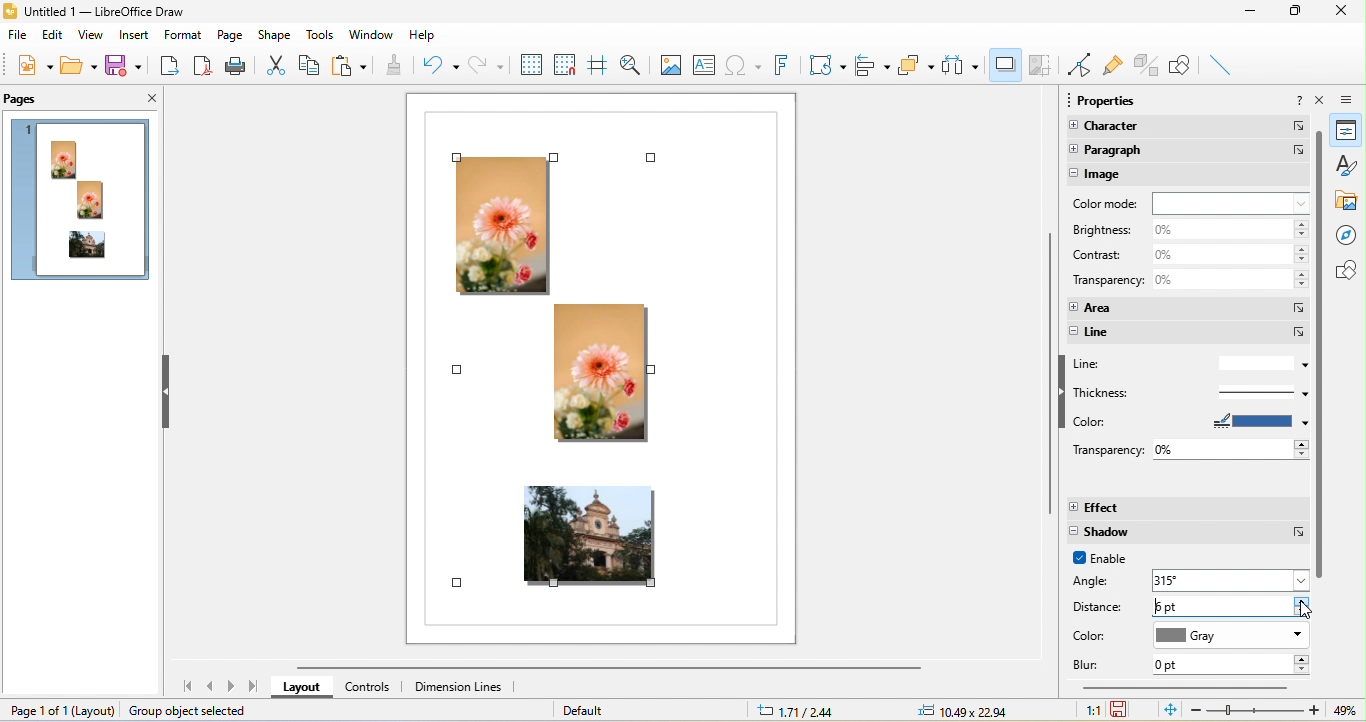  Describe the element at coordinates (1222, 63) in the screenshot. I see `insert line` at that location.